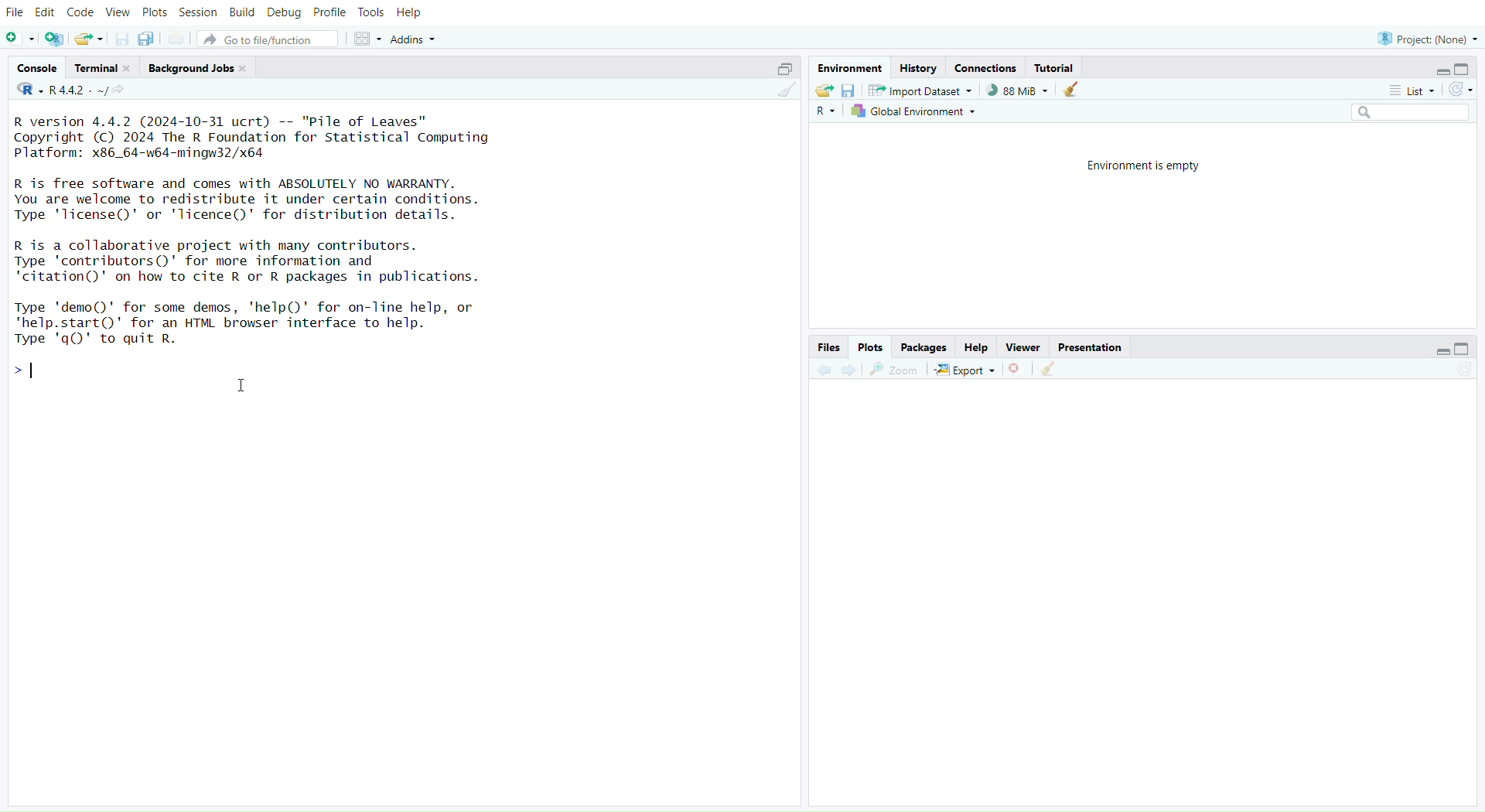 This screenshot has width=1485, height=812. I want to click on expand, so click(1440, 352).